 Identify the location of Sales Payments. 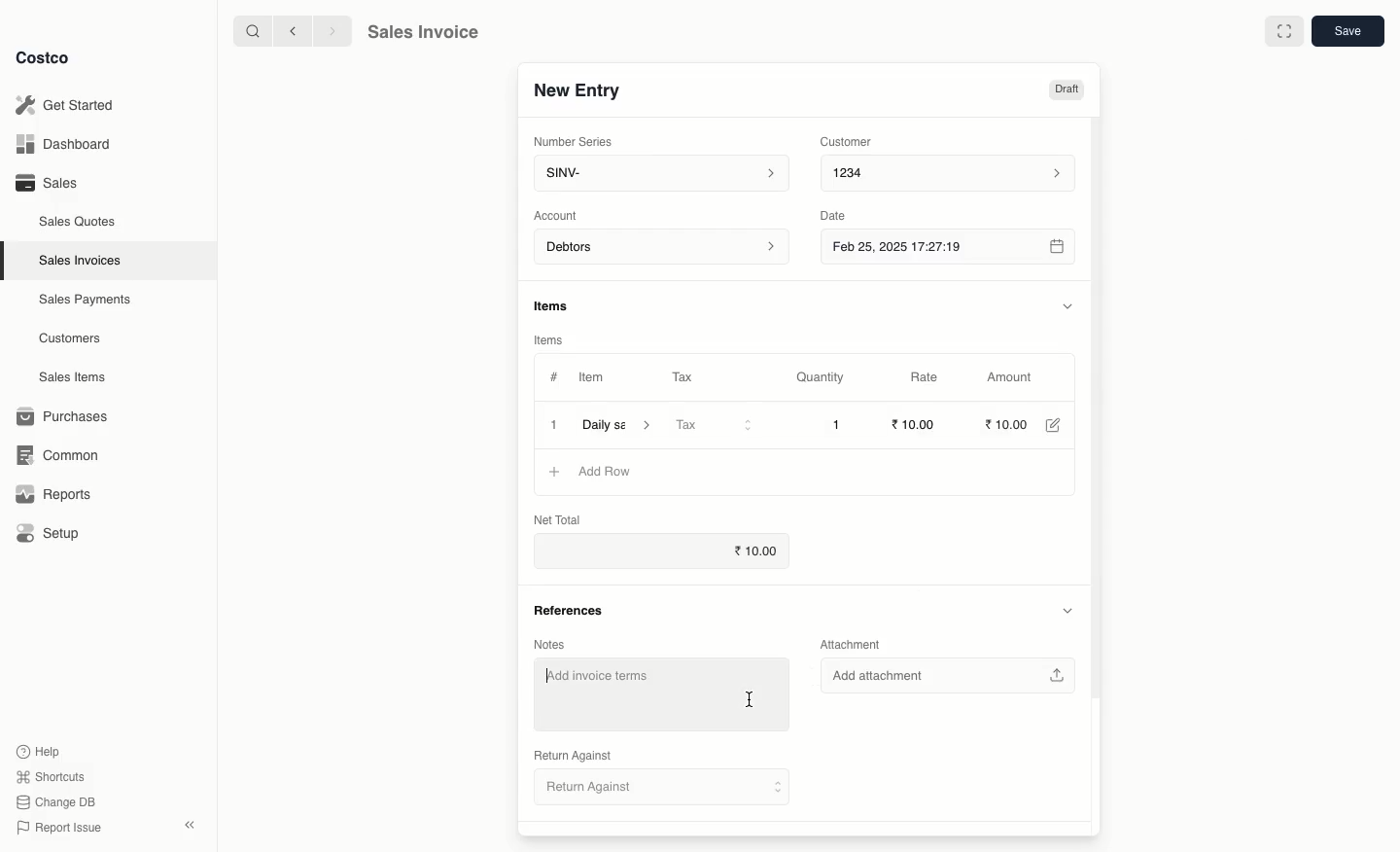
(81, 301).